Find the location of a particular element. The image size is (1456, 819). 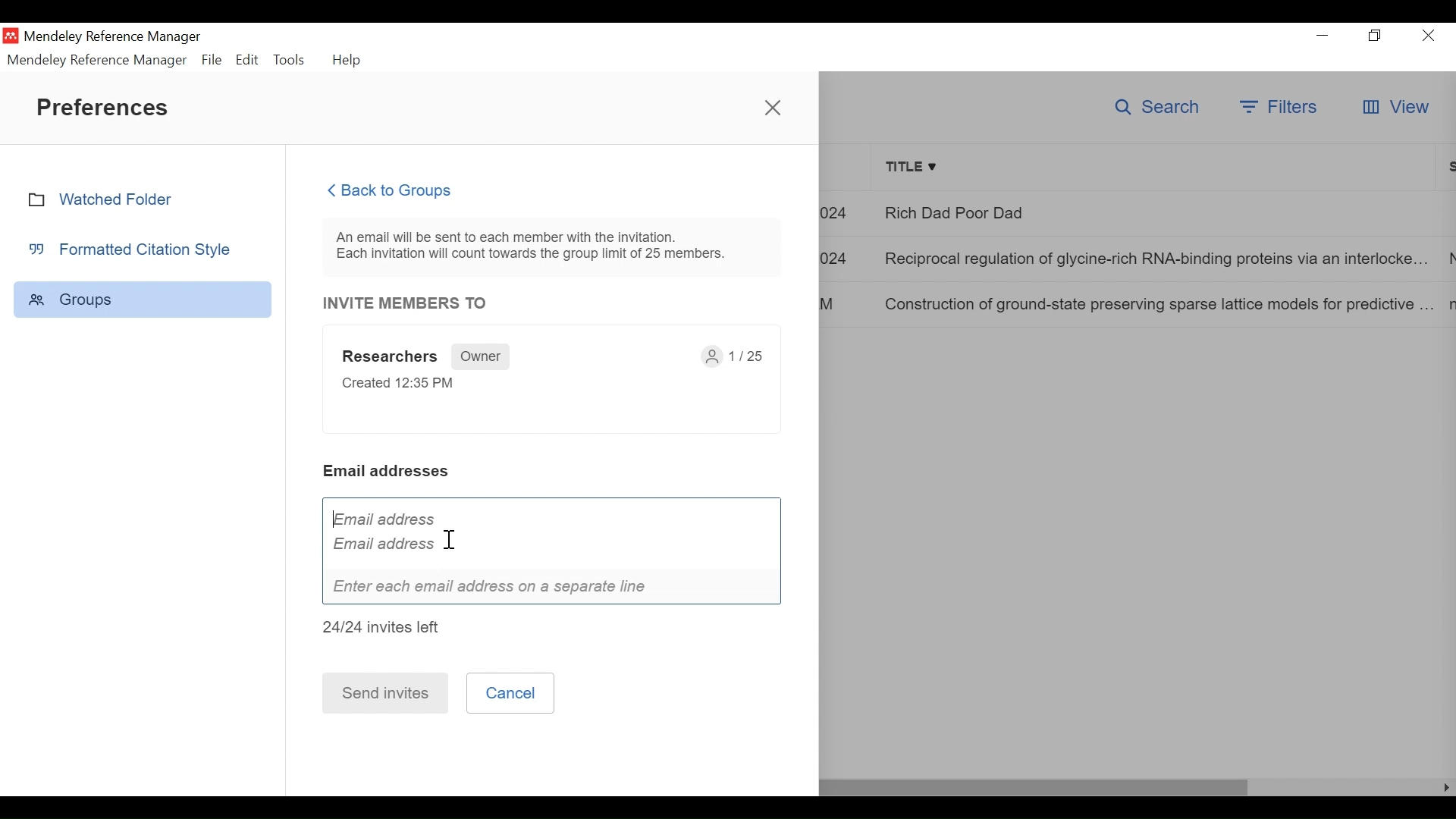

Mendeley Reference Manager is located at coordinates (112, 36).